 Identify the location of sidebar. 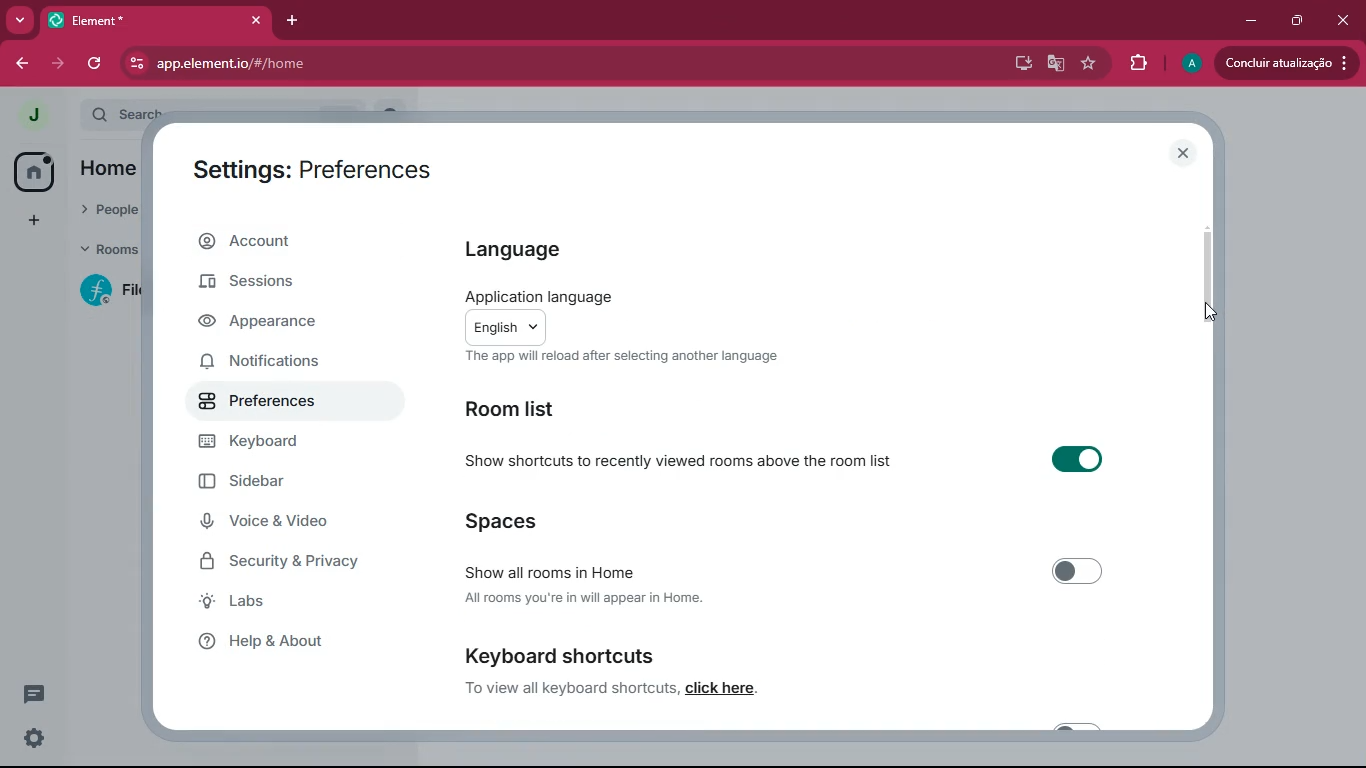
(295, 482).